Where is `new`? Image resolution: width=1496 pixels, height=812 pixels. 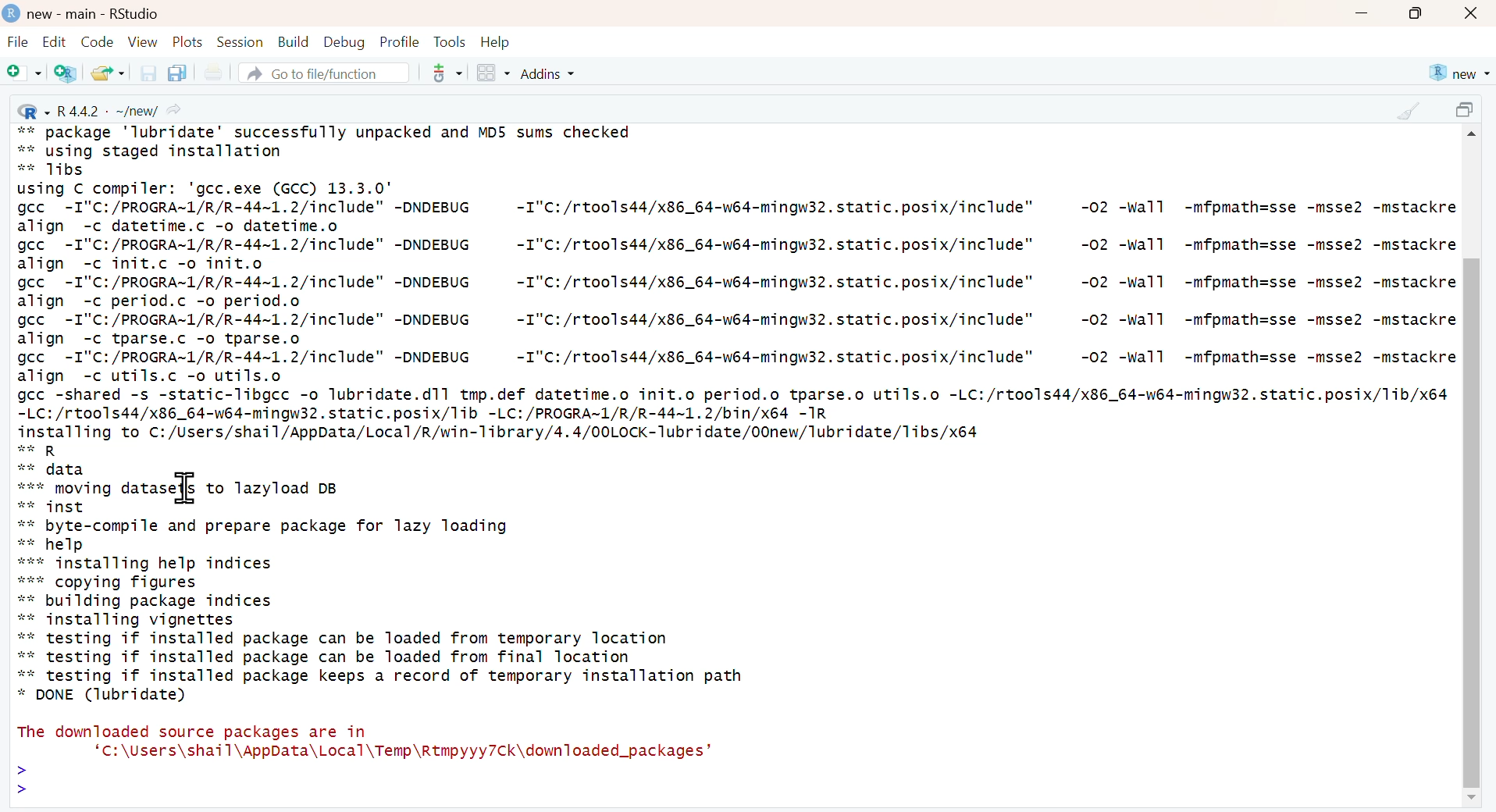
new is located at coordinates (1458, 73).